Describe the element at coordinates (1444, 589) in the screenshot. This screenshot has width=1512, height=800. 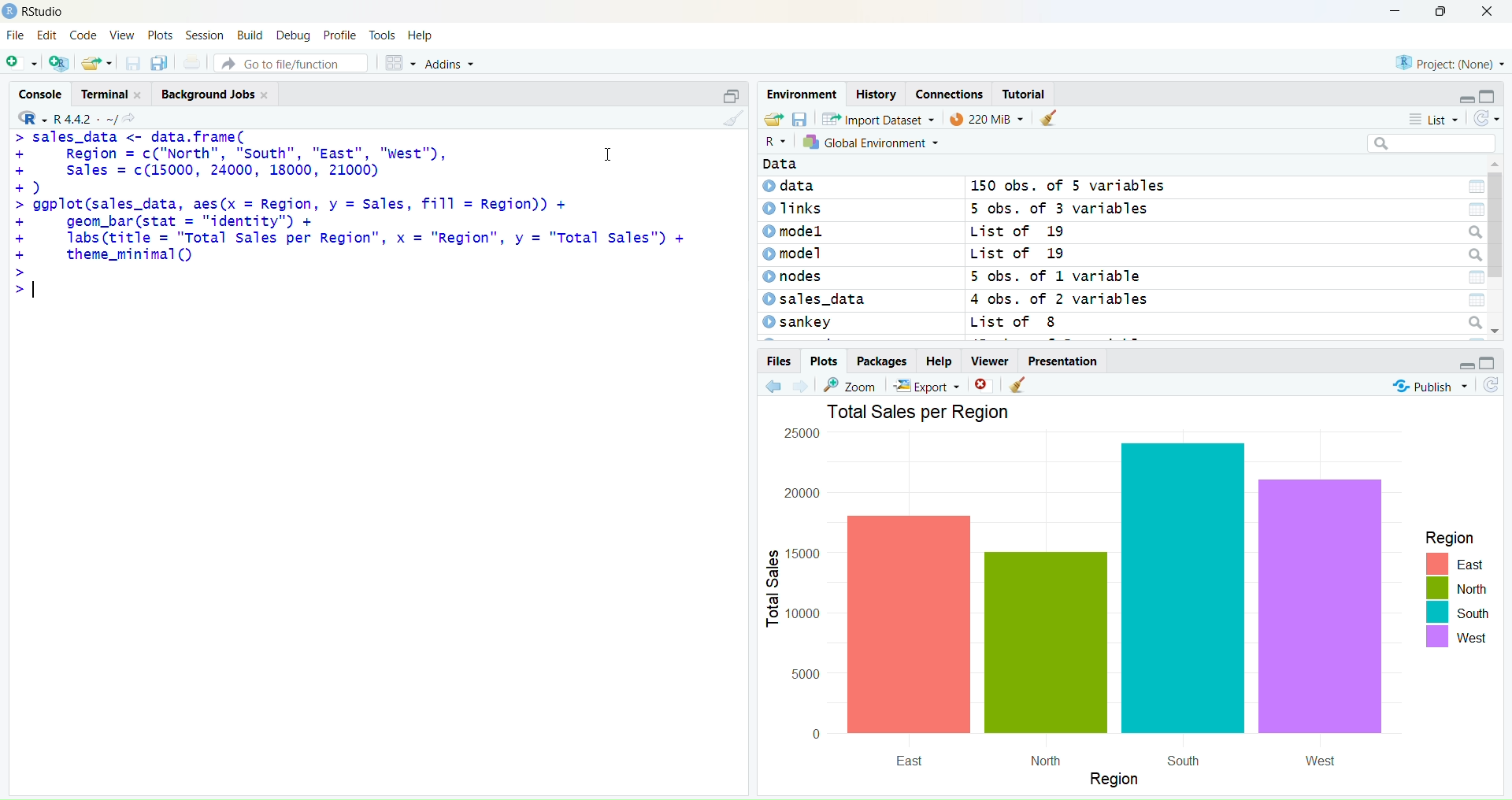
I see `Region East, North, South, West` at that location.